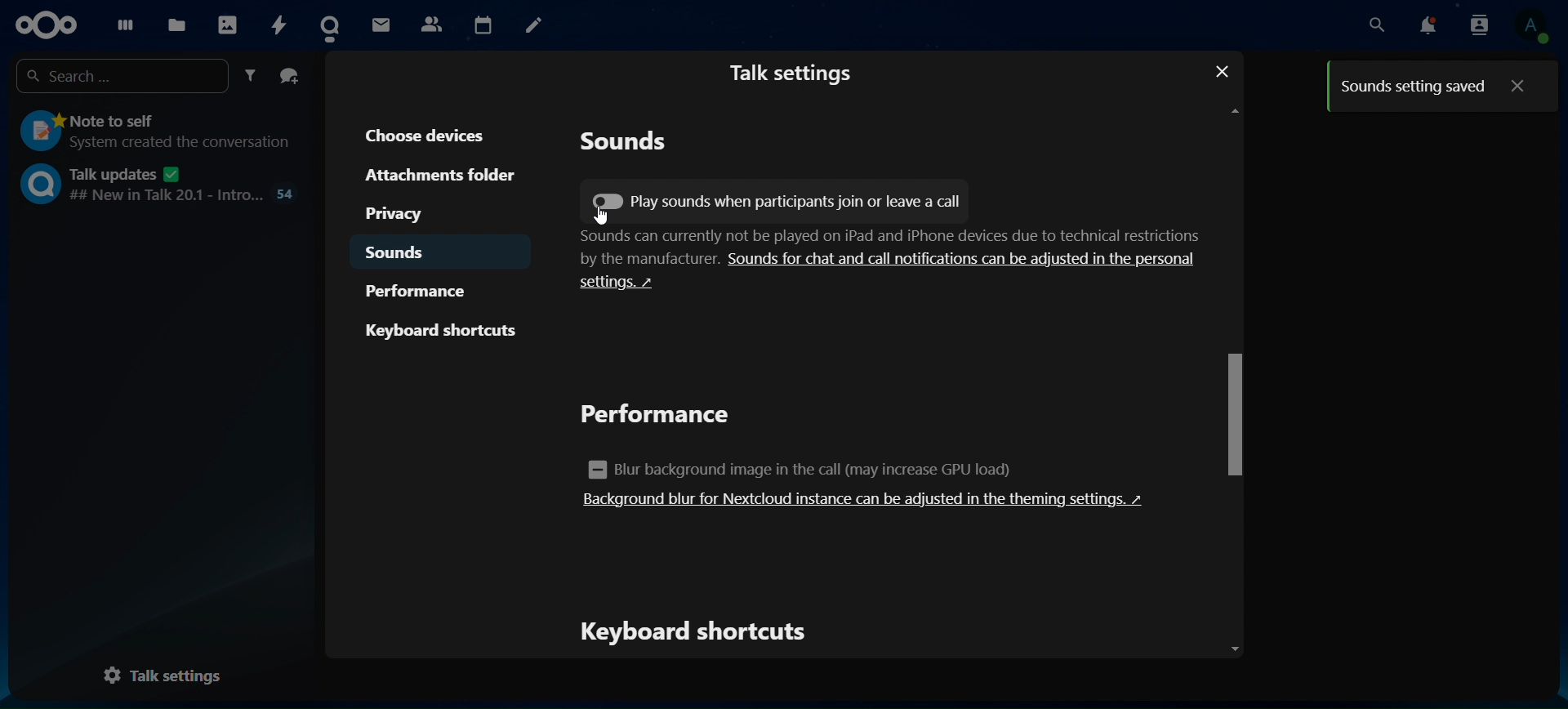 The image size is (1568, 709). What do you see at coordinates (876, 236) in the screenshot?
I see `Sounds can currently not be played on iPad and iPhone devices due to technical restrictions` at bounding box center [876, 236].